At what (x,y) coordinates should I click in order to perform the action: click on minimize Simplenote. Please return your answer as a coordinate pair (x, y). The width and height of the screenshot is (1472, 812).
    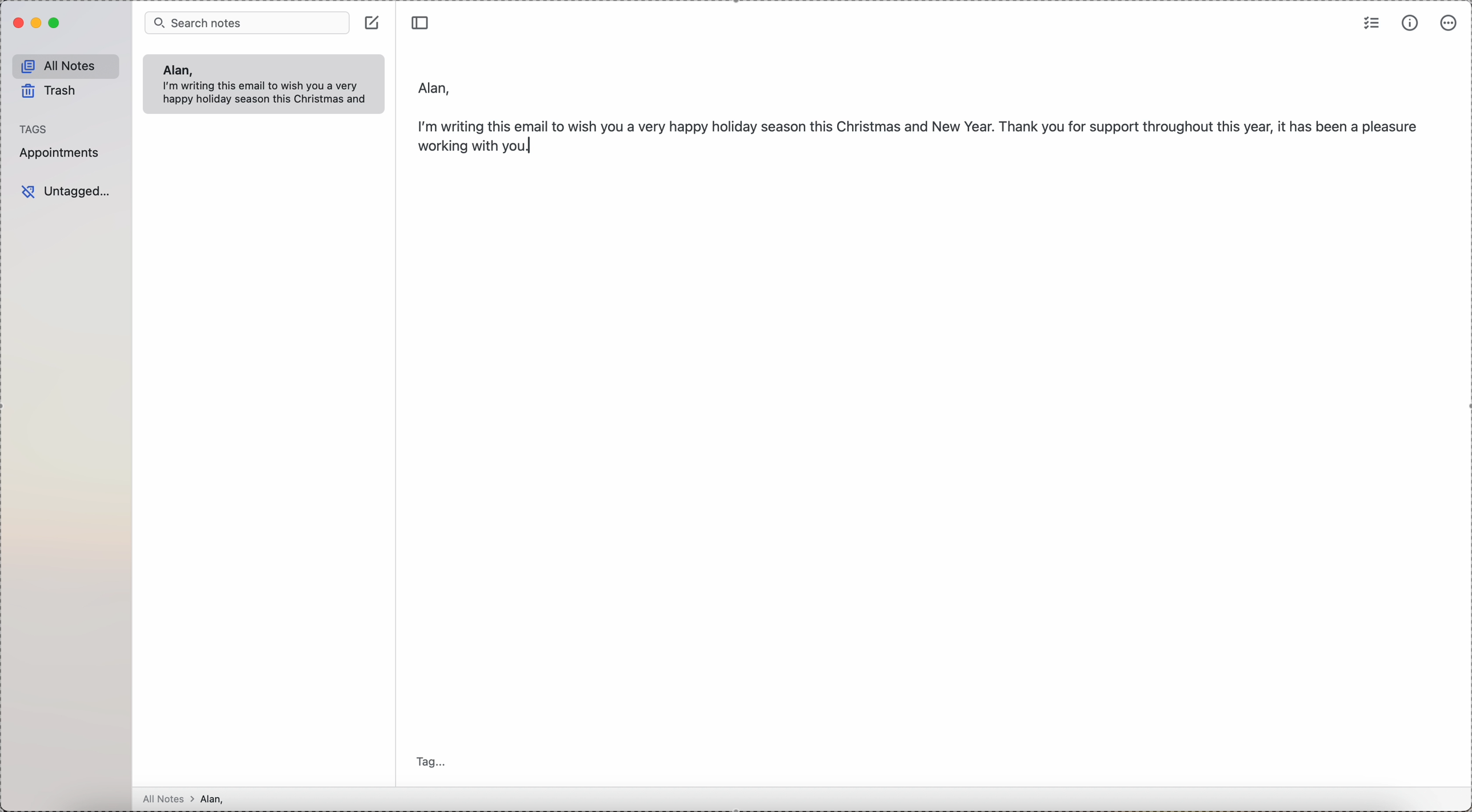
    Looking at the image, I should click on (38, 23).